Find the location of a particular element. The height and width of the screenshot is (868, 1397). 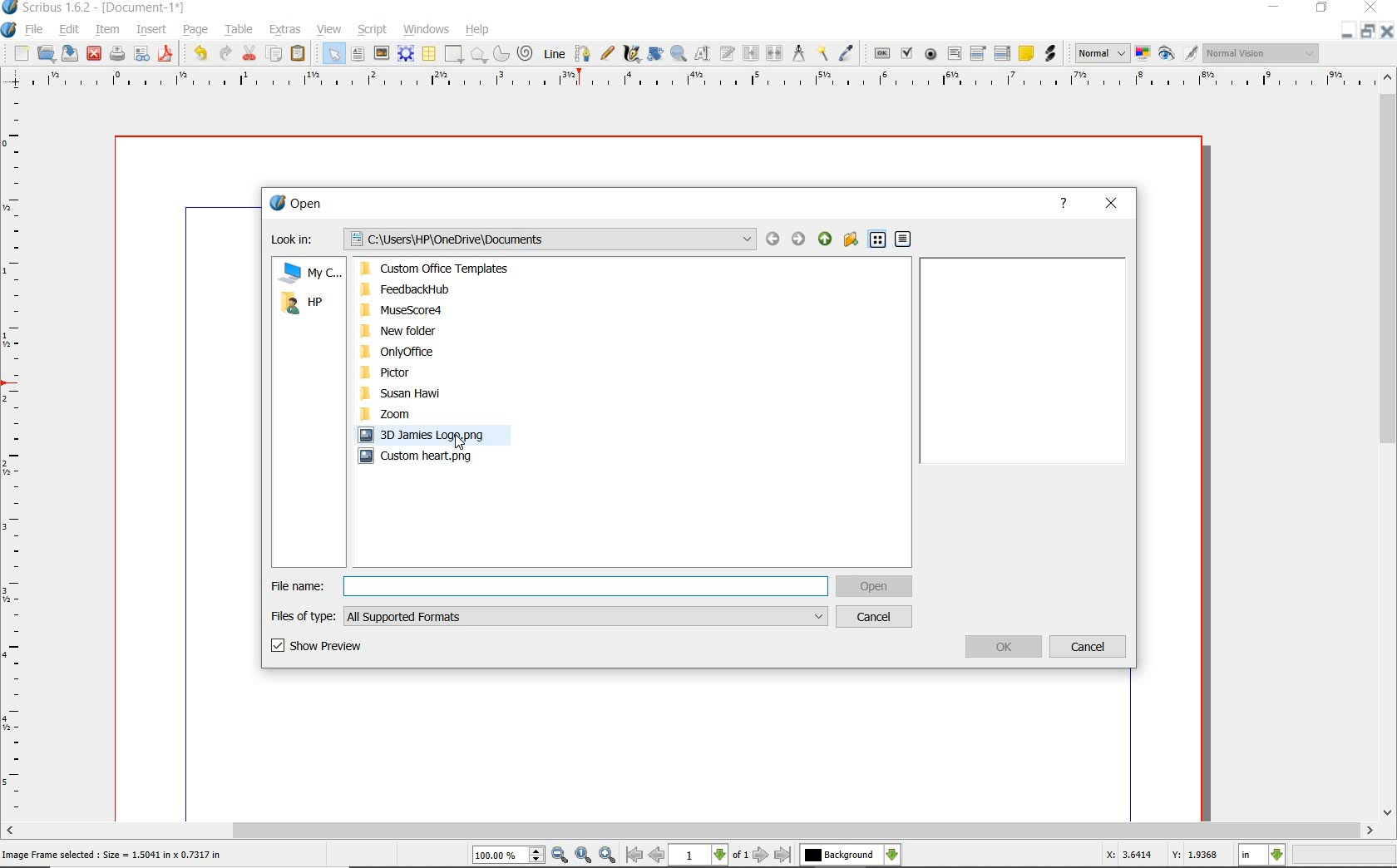

cancel is located at coordinates (876, 617).